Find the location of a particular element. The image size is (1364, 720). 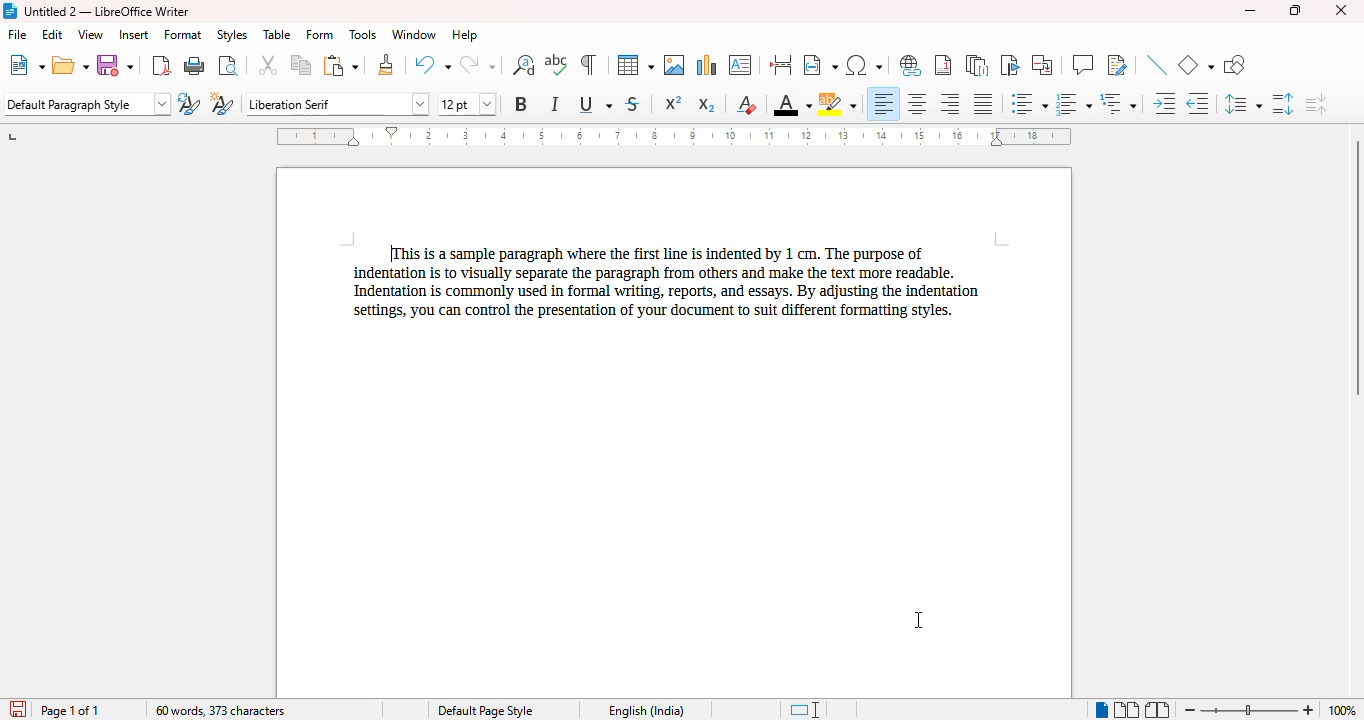

insert footnote is located at coordinates (944, 64).